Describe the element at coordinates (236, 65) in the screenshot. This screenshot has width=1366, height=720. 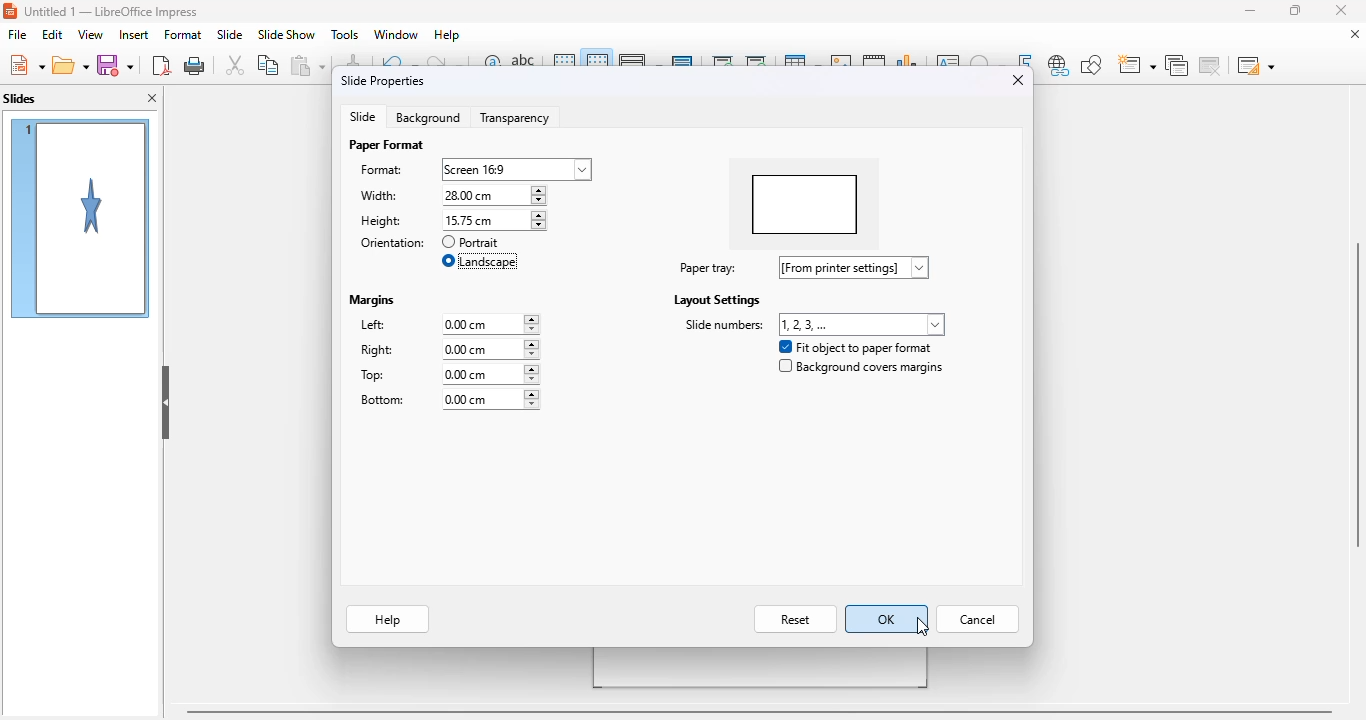
I see `cut` at that location.